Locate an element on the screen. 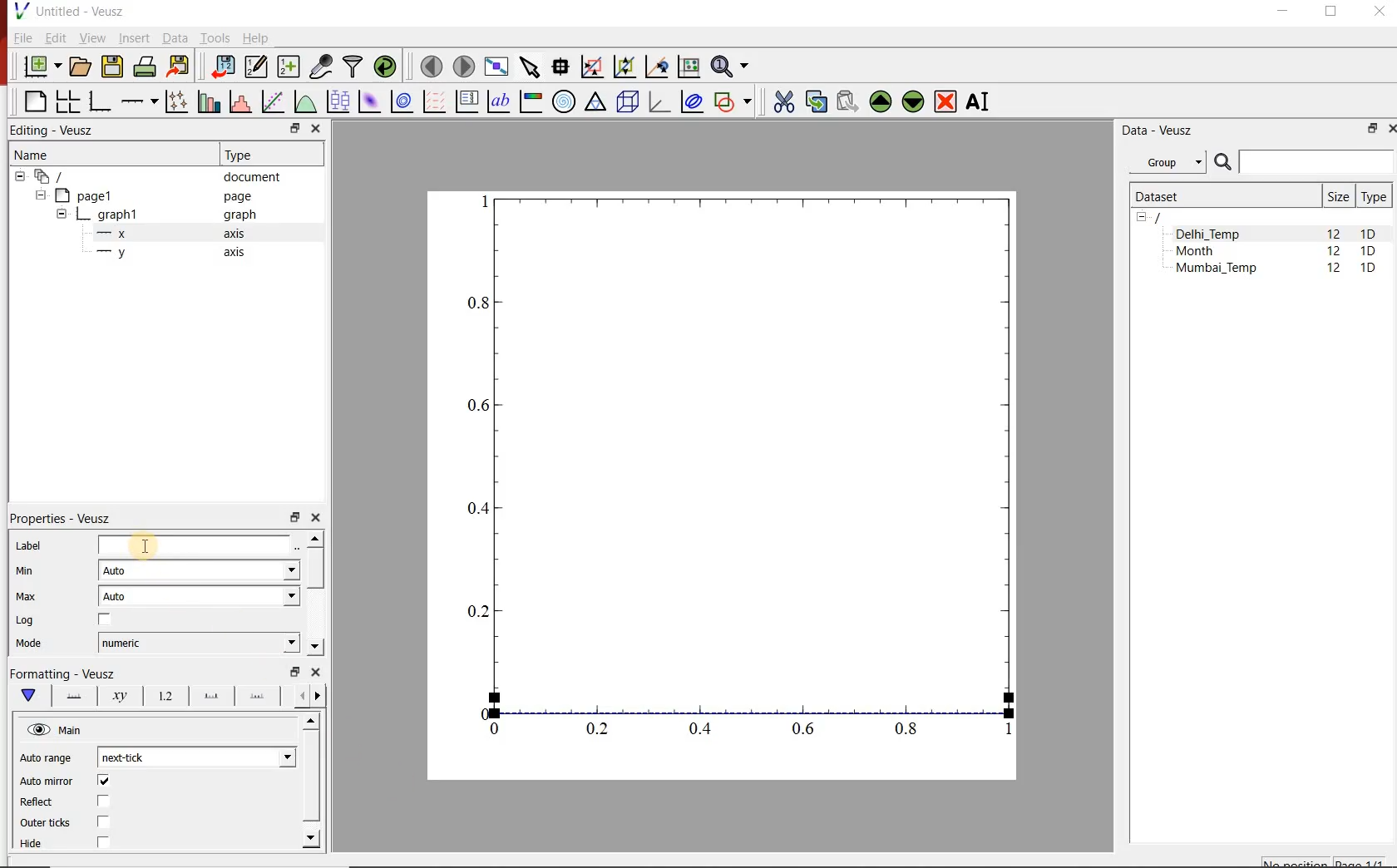 The height and width of the screenshot is (868, 1397). add a shape to the plot is located at coordinates (733, 103).